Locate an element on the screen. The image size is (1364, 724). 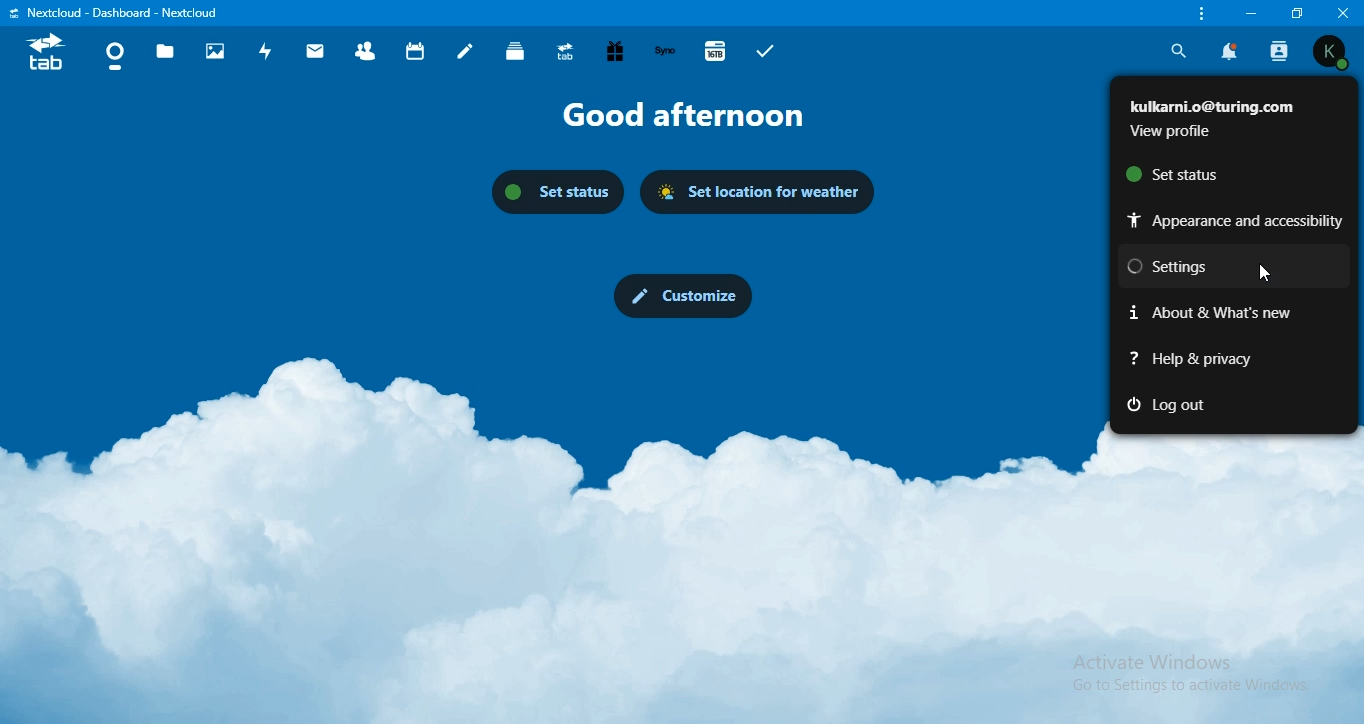
set status is located at coordinates (557, 193).